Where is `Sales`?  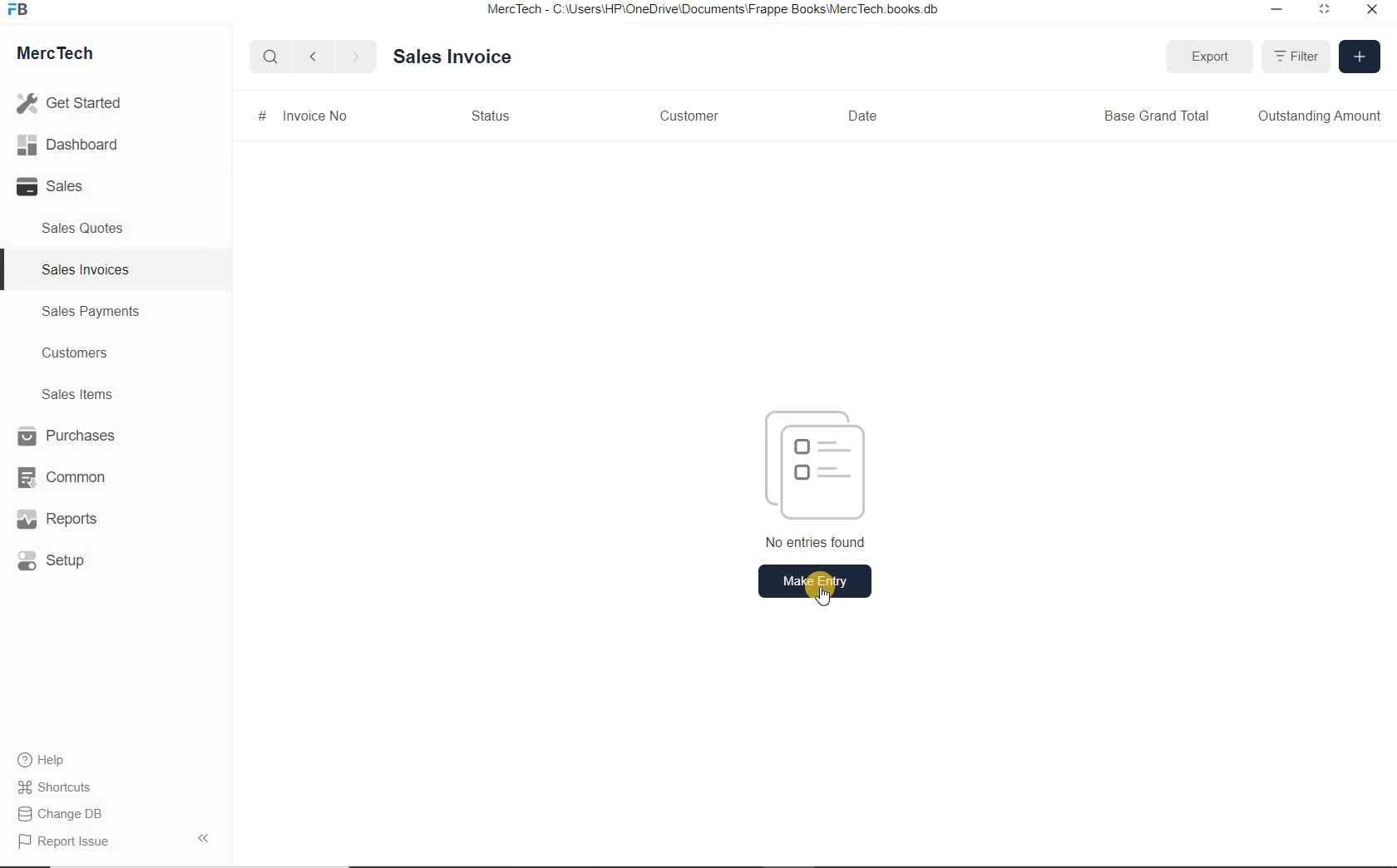 Sales is located at coordinates (75, 186).